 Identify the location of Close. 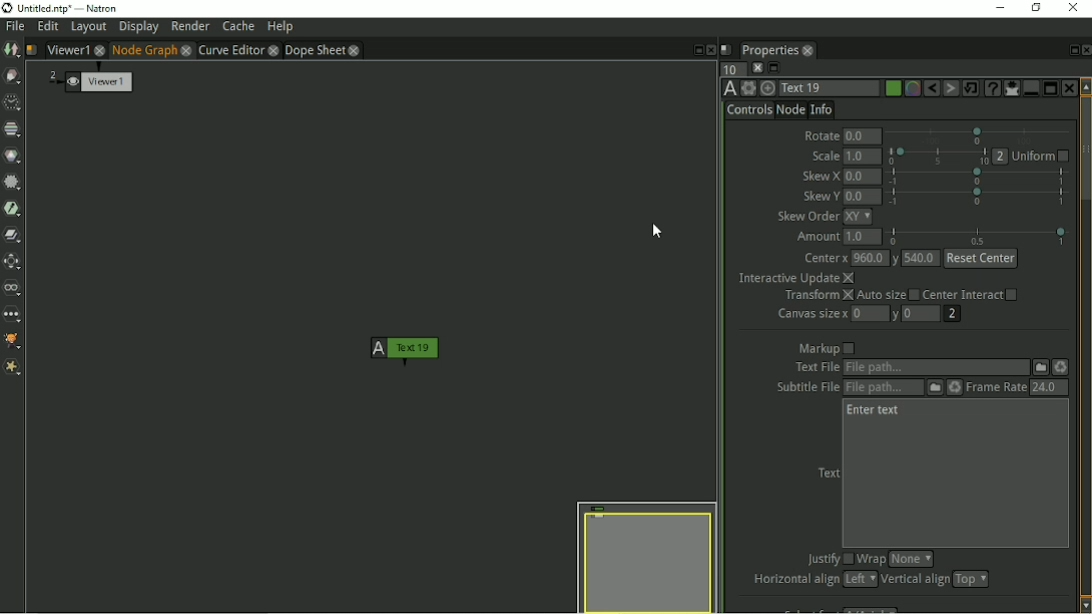
(1076, 10).